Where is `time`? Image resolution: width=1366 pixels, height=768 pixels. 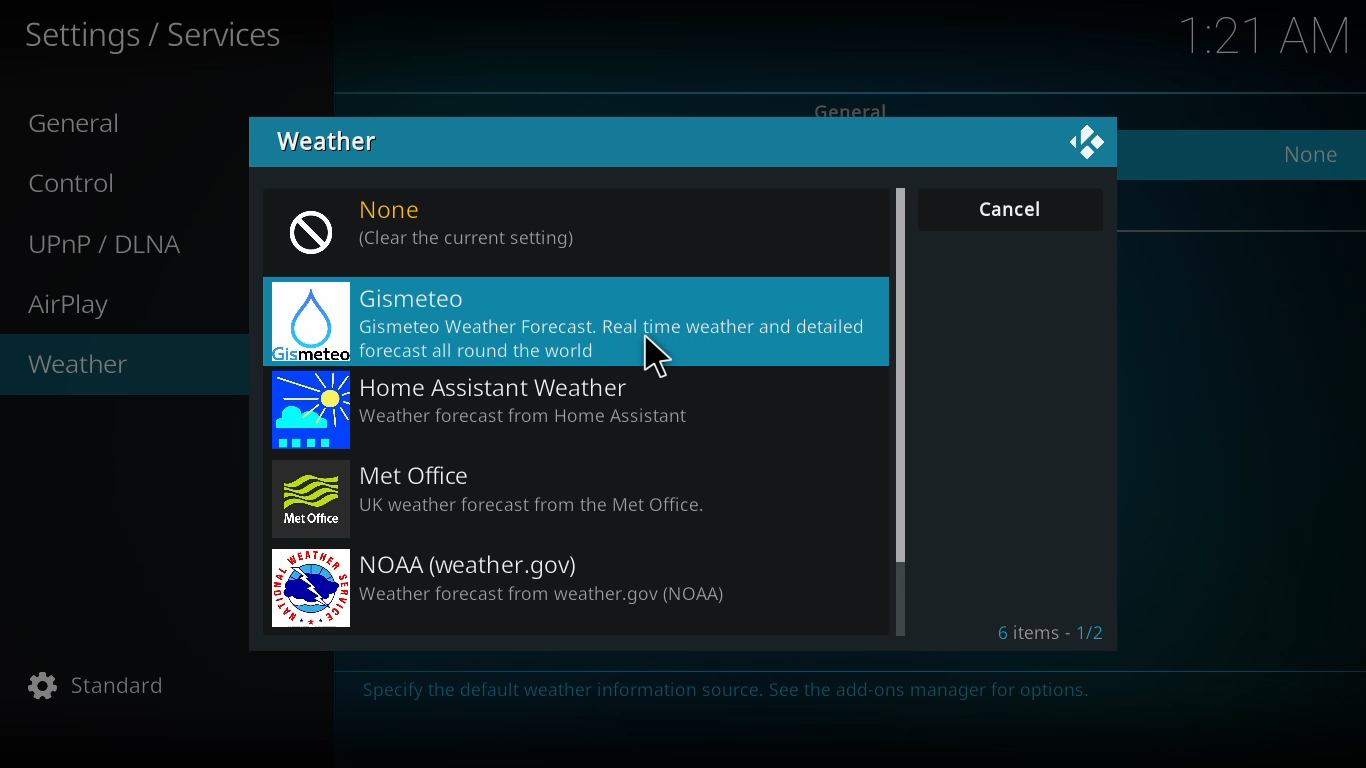 time is located at coordinates (1268, 34).